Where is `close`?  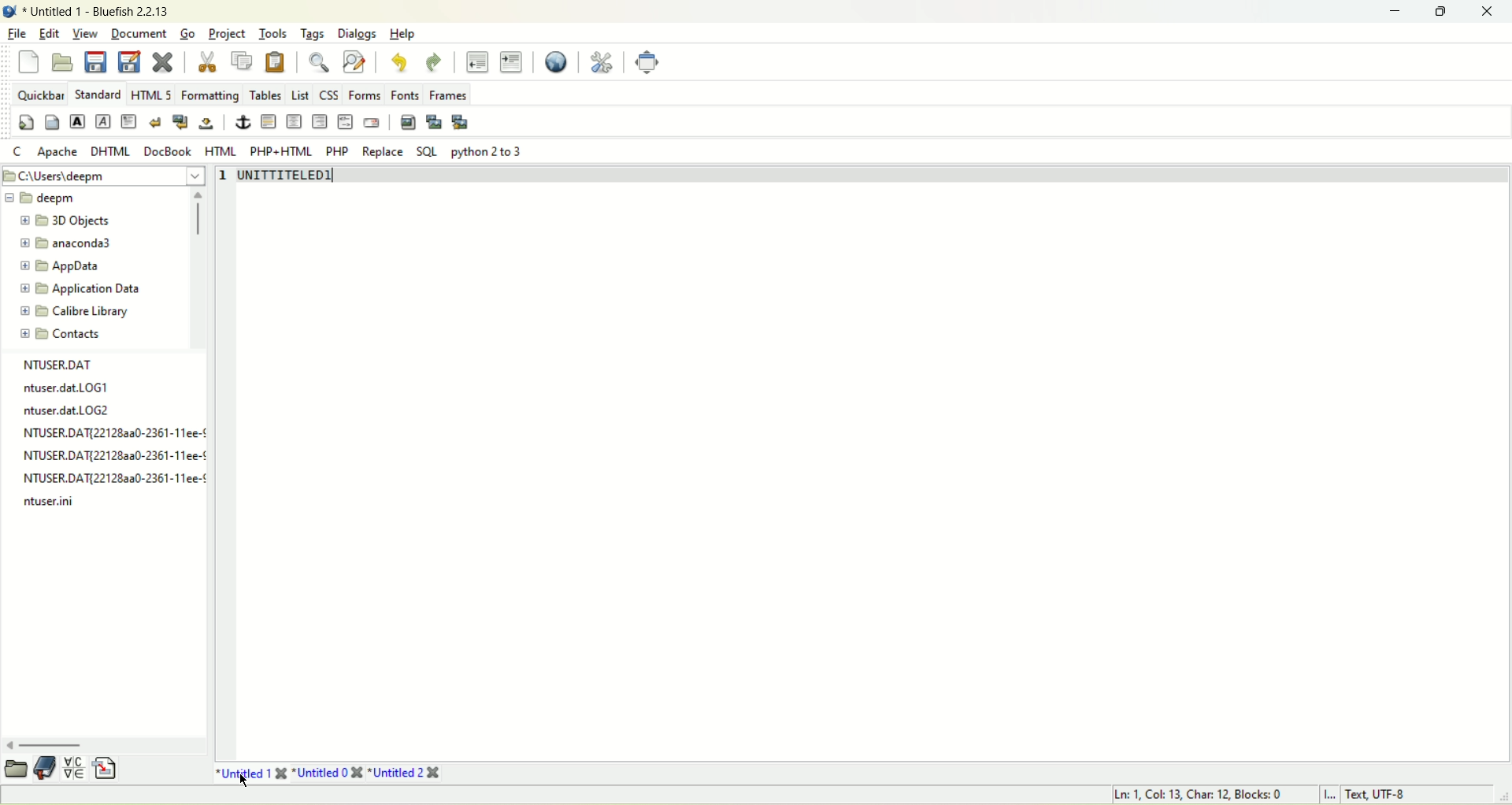
close is located at coordinates (1488, 12).